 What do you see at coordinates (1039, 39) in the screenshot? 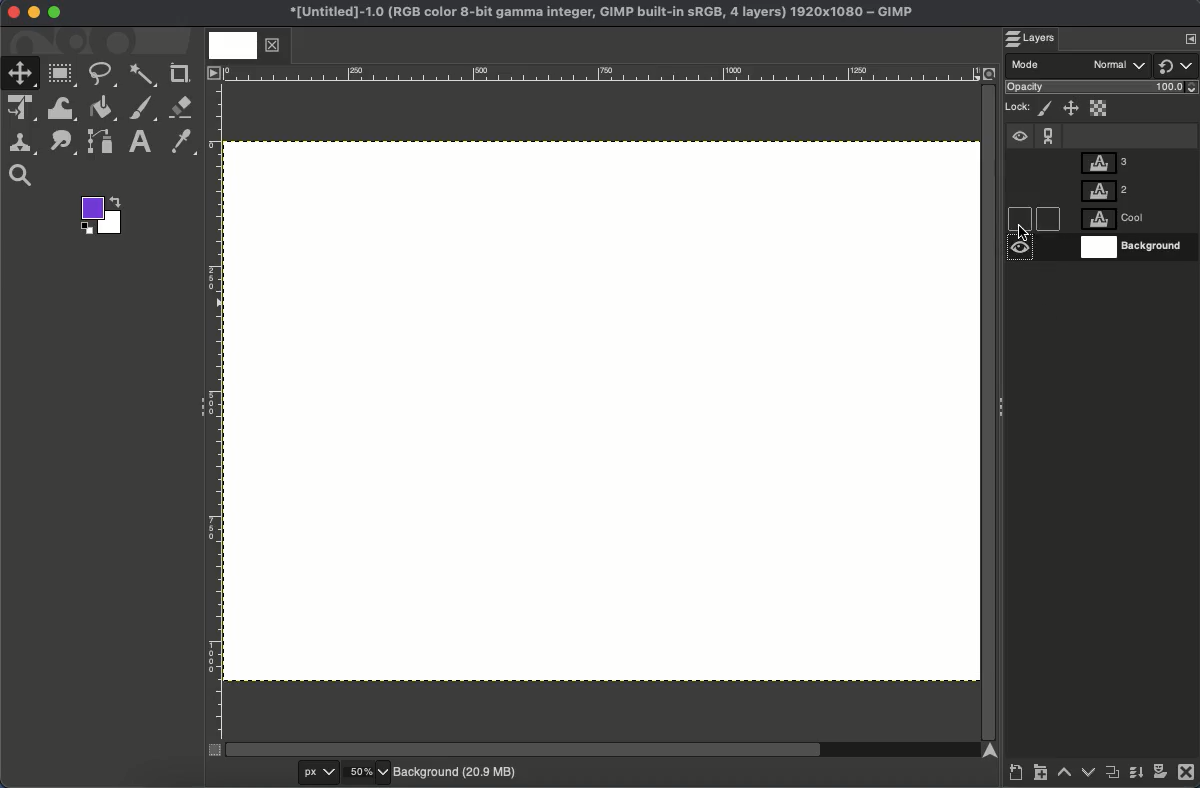
I see `Layers` at bounding box center [1039, 39].